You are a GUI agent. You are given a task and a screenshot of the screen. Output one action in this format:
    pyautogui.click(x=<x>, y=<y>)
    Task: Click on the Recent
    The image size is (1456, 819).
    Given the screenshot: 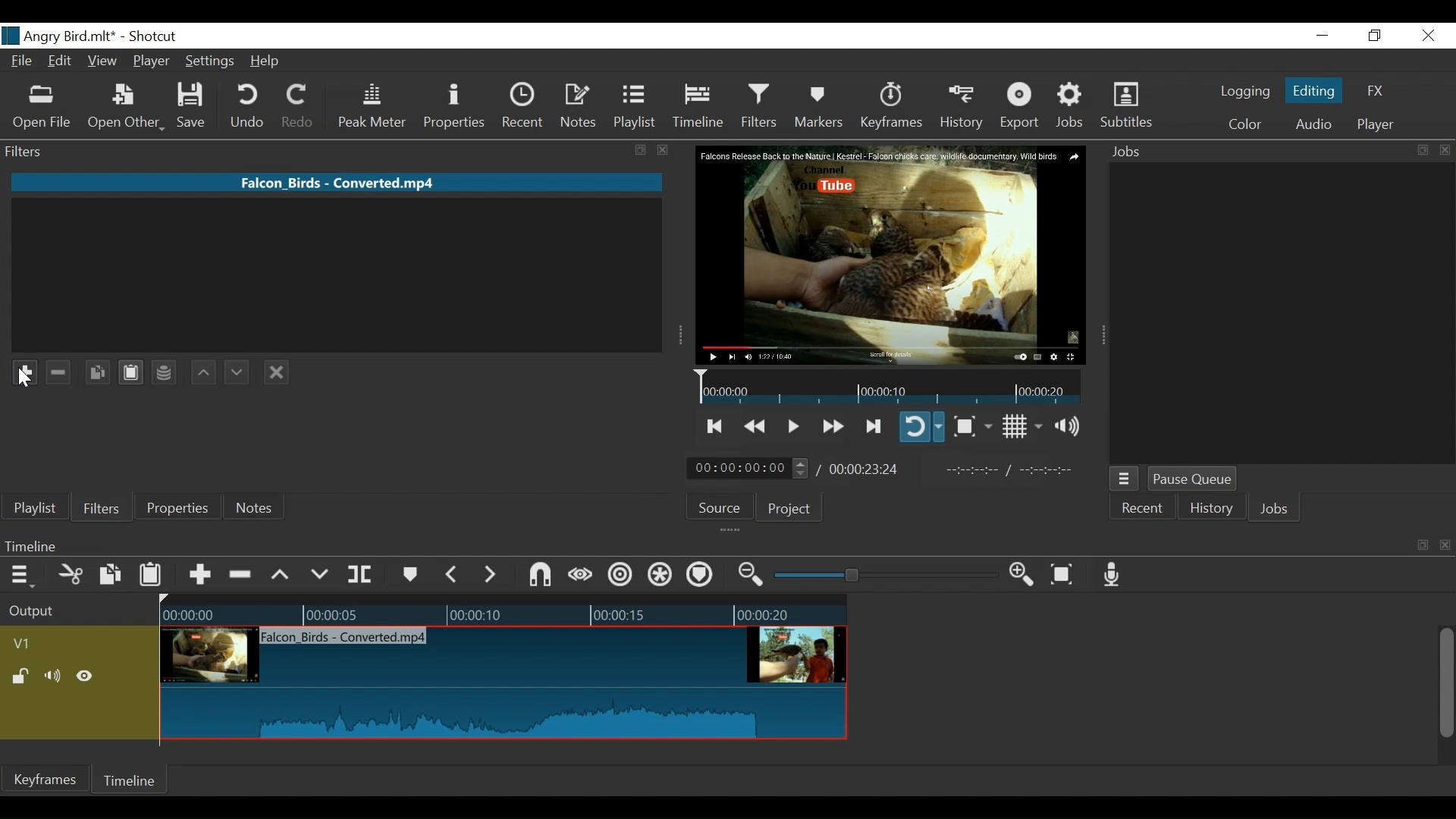 What is the action you would take?
    pyautogui.click(x=1141, y=510)
    